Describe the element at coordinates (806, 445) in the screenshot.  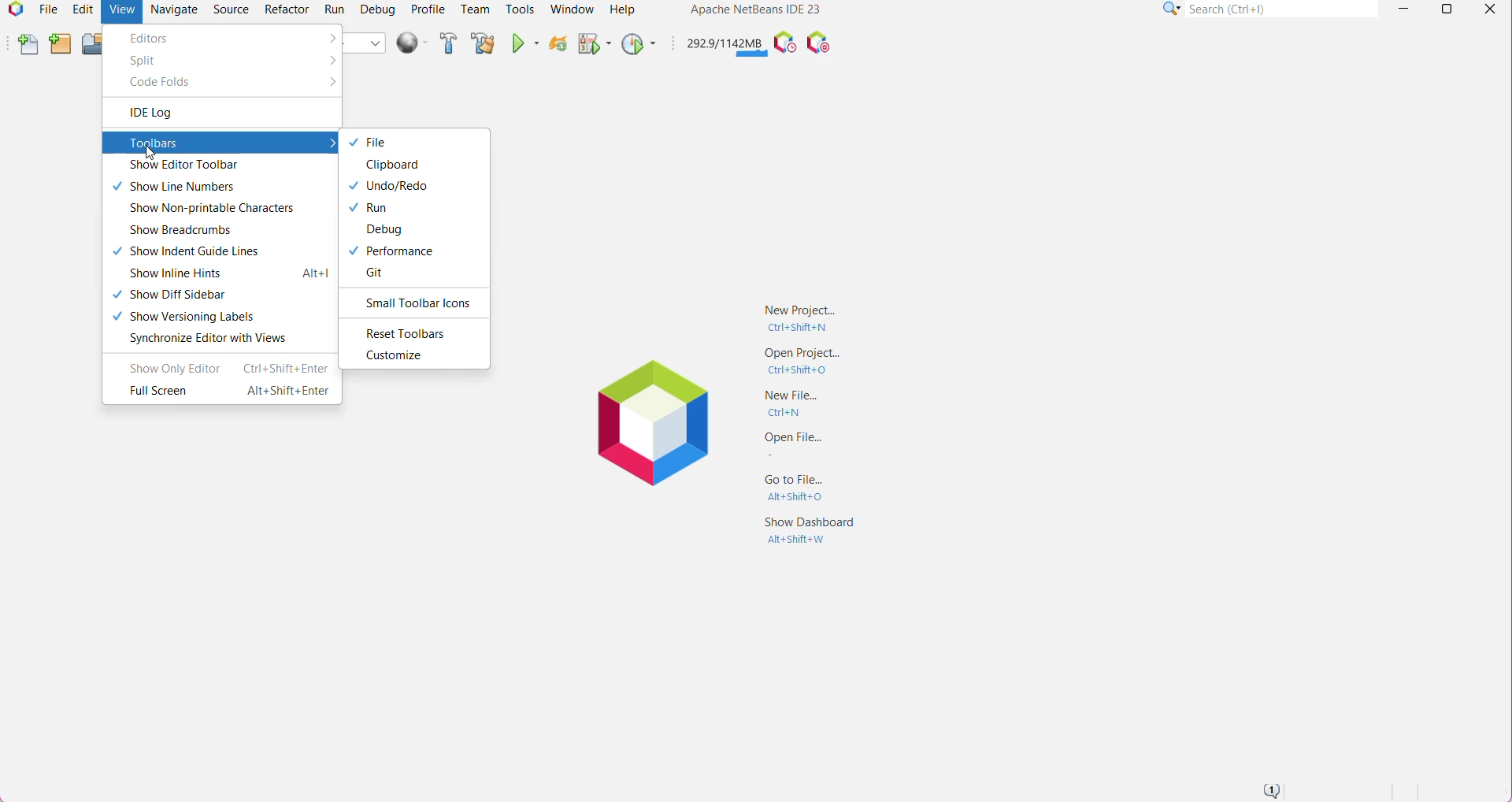
I see `Open File` at that location.